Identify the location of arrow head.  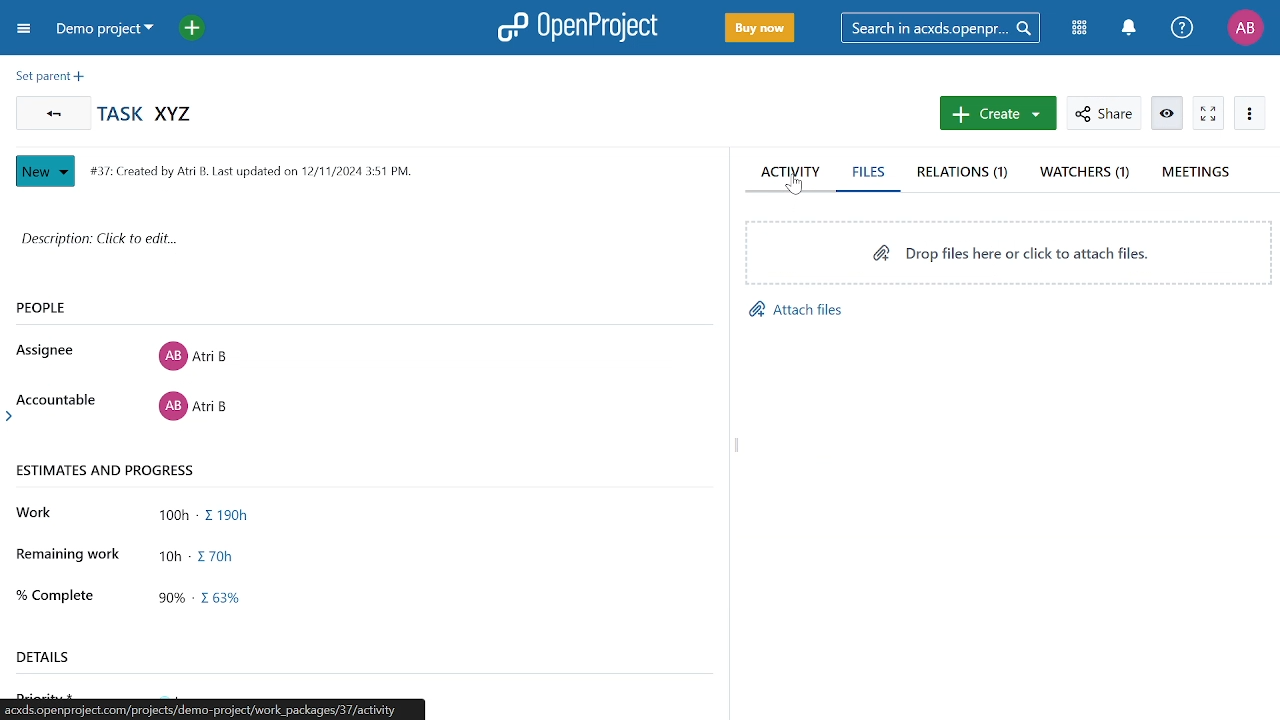
(11, 414).